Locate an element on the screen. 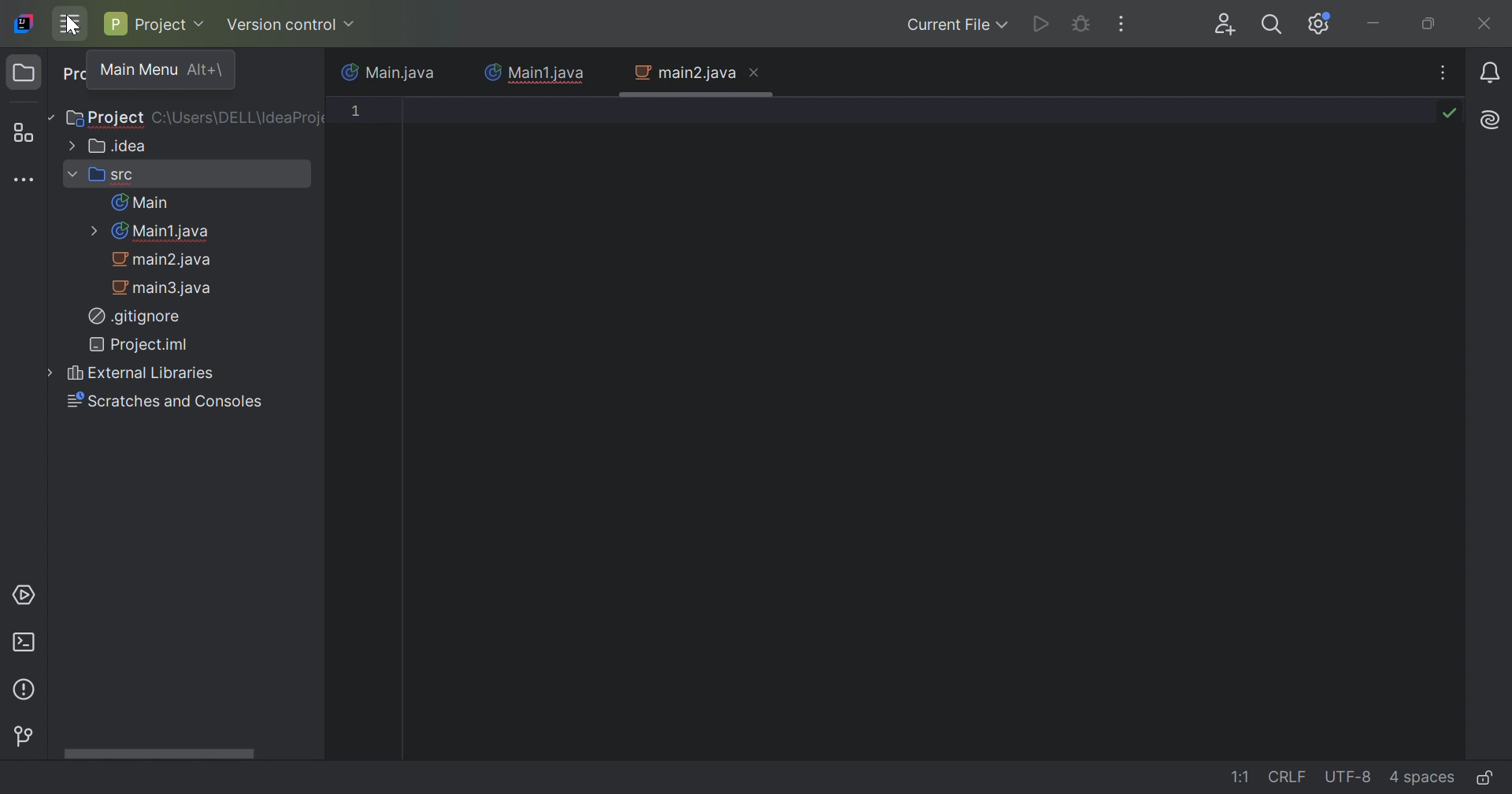 The image size is (1512, 794). Version control is located at coordinates (291, 25).